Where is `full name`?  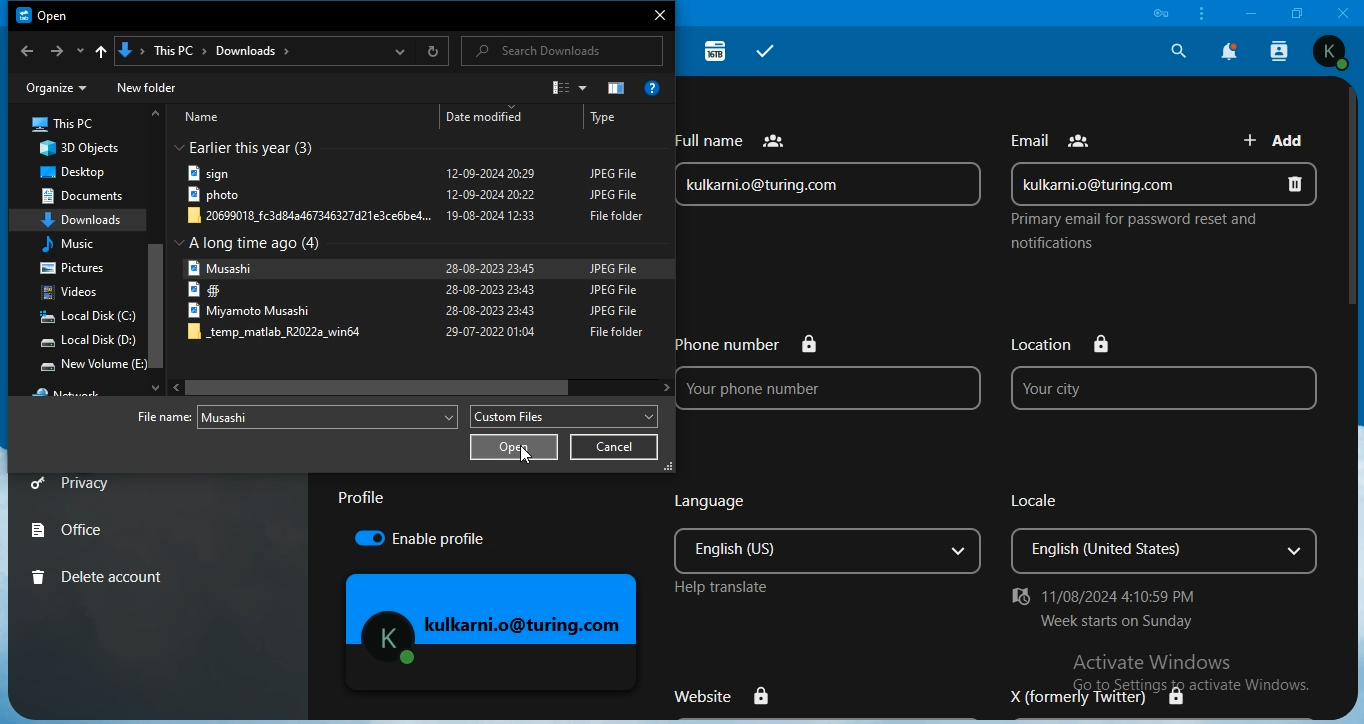 full name is located at coordinates (830, 168).